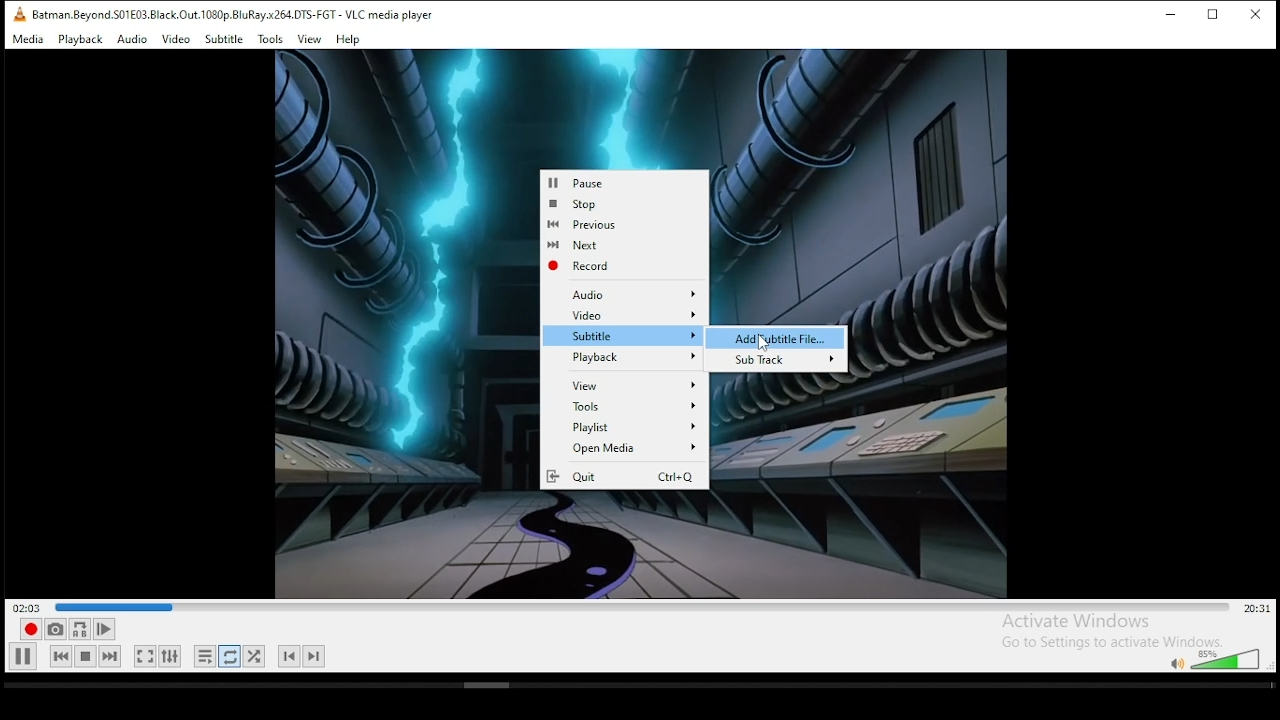 This screenshot has height=720, width=1280. I want to click on Audio options, so click(633, 294).